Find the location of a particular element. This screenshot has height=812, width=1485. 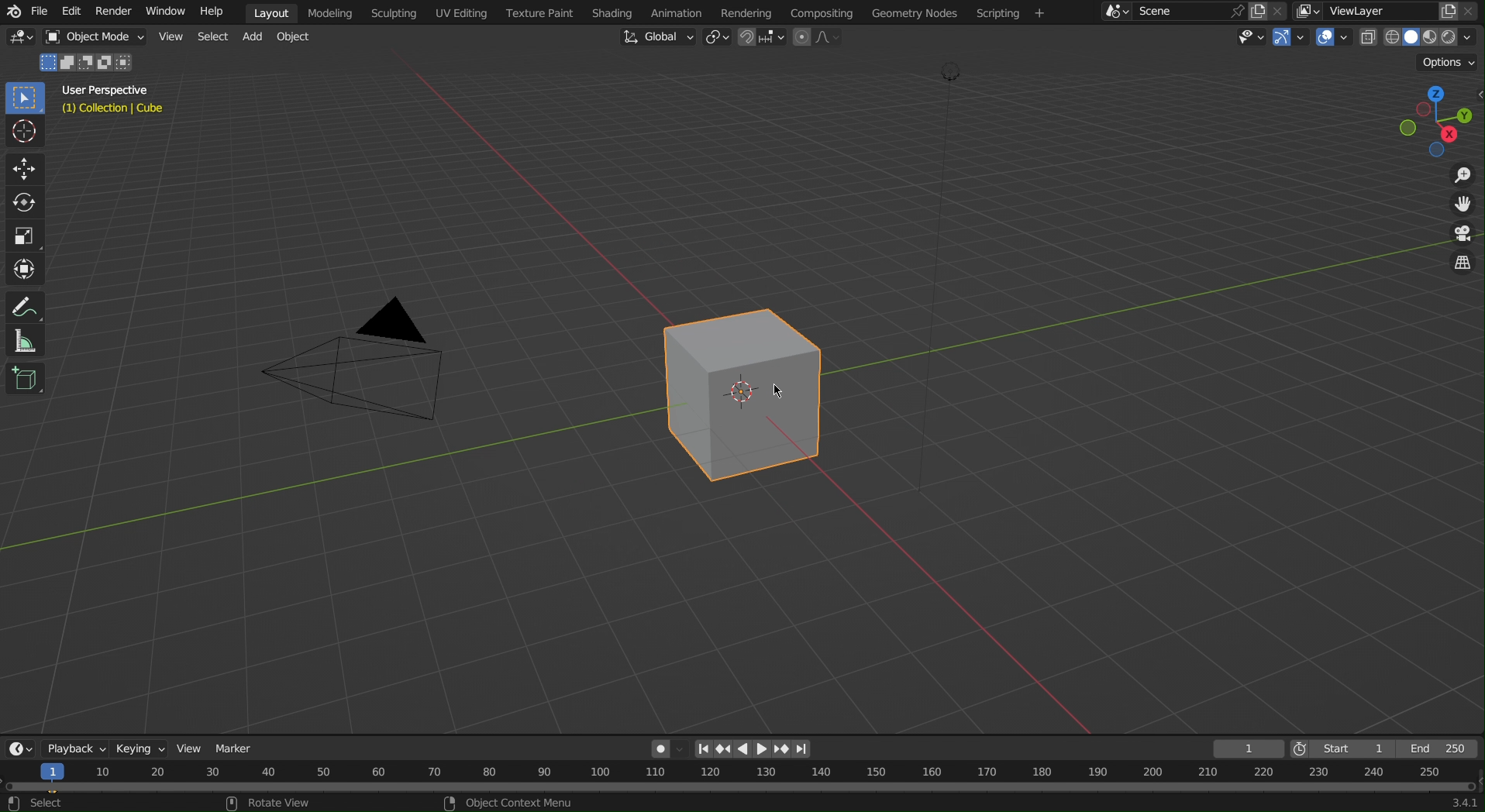

Show Gizmo is located at coordinates (1291, 40).